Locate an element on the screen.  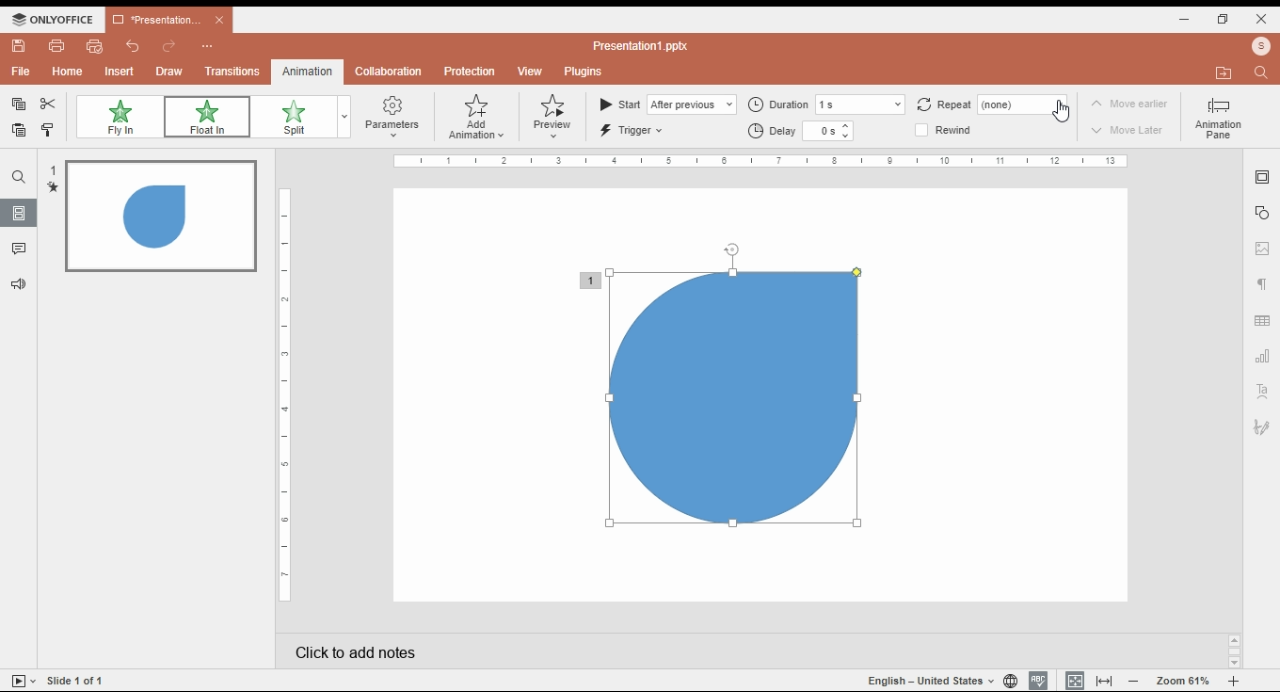
onlyoffice is located at coordinates (50, 19).